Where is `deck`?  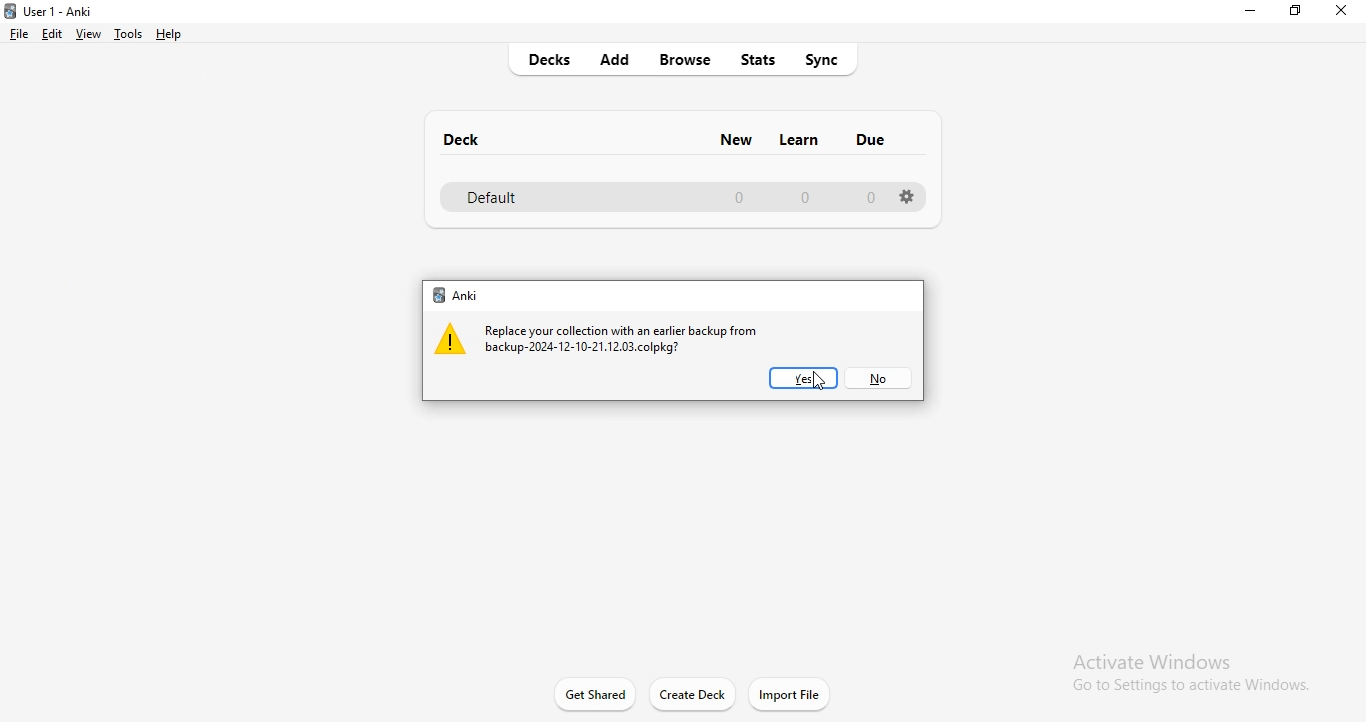
deck is located at coordinates (464, 138).